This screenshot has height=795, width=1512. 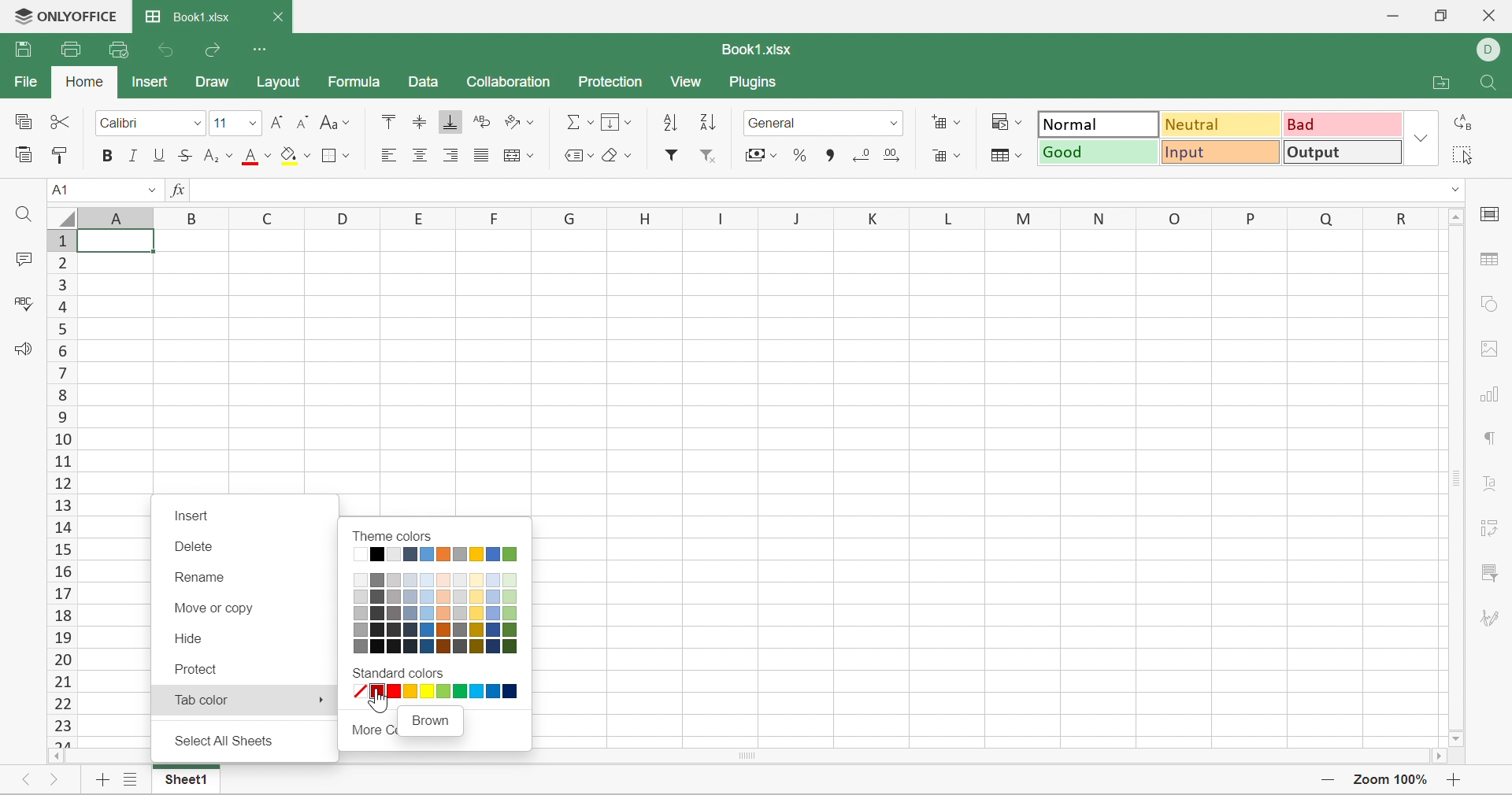 What do you see at coordinates (262, 50) in the screenshot?
I see `Customize Quick Access Toolbar` at bounding box center [262, 50].